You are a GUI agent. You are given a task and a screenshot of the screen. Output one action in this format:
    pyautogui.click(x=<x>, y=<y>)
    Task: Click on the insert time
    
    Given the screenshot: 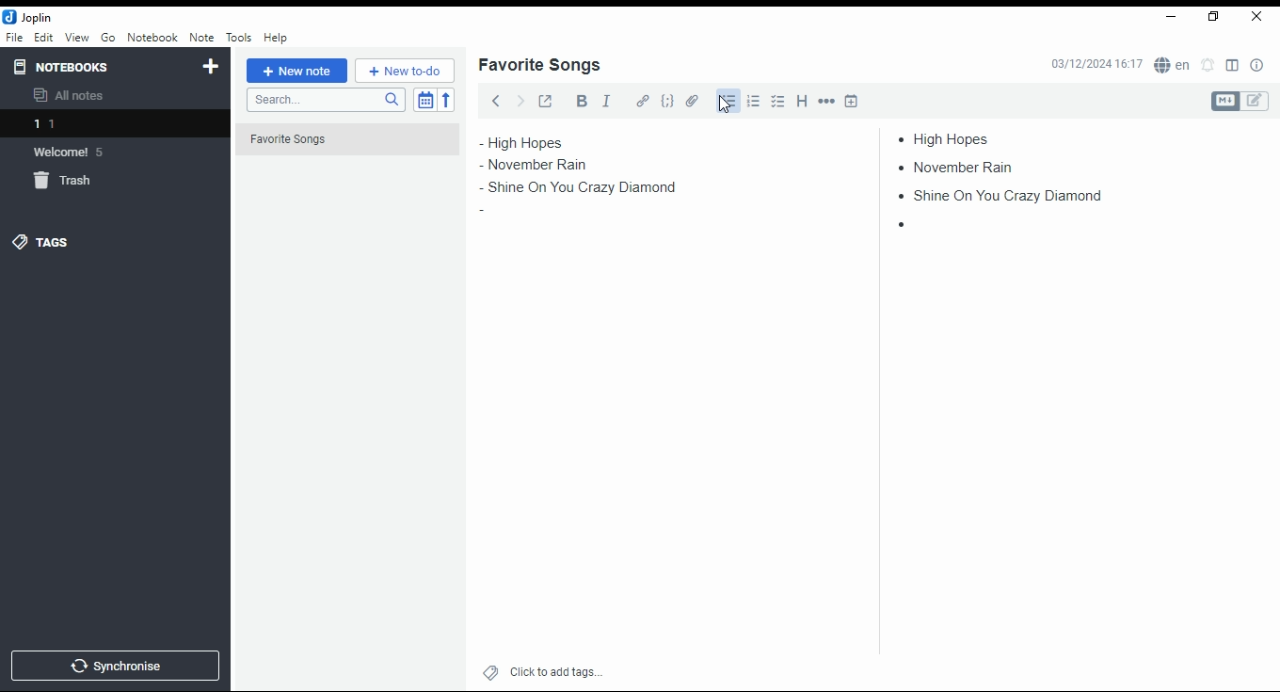 What is the action you would take?
    pyautogui.click(x=852, y=100)
    